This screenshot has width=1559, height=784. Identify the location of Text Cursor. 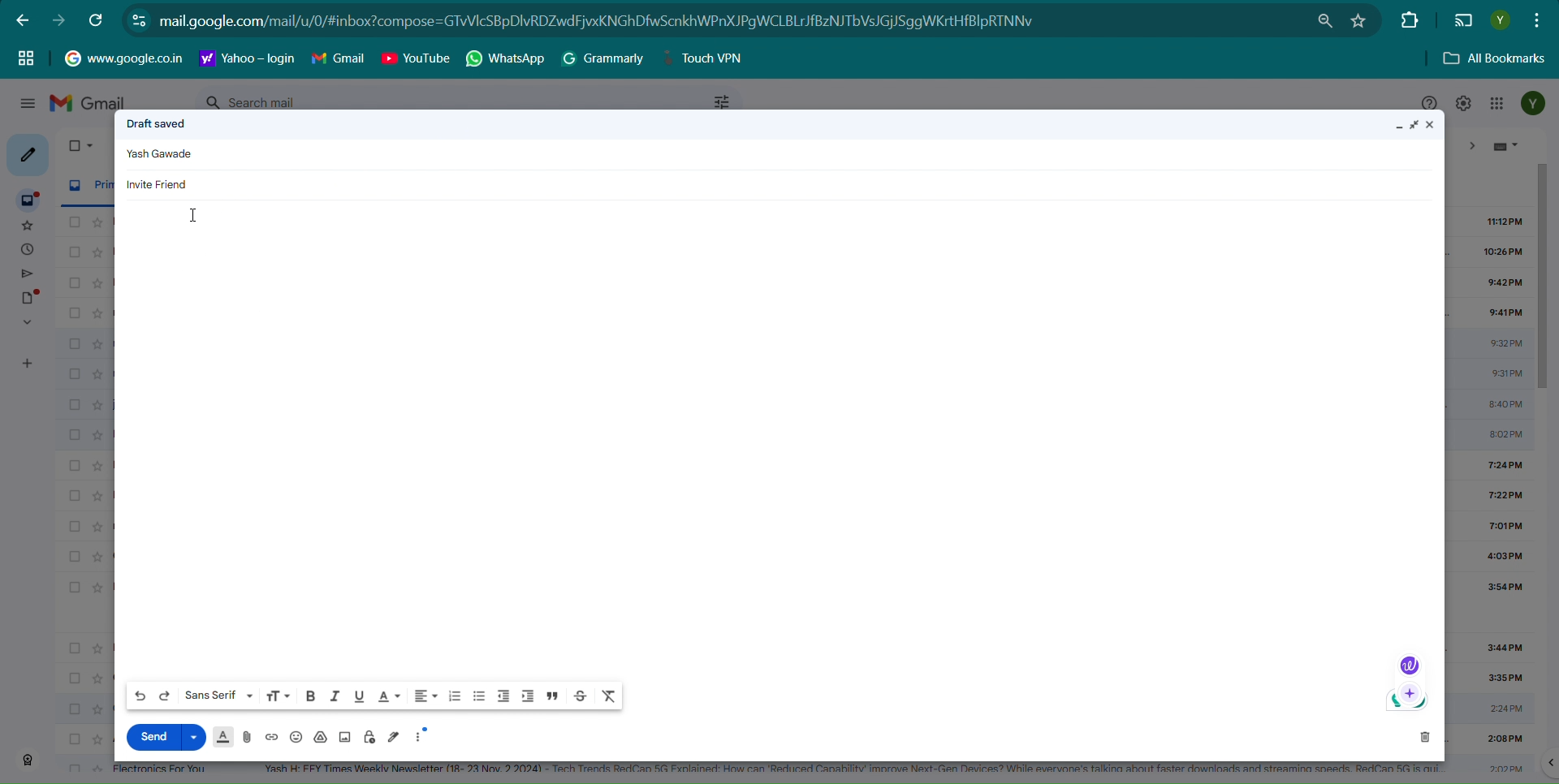
(197, 216).